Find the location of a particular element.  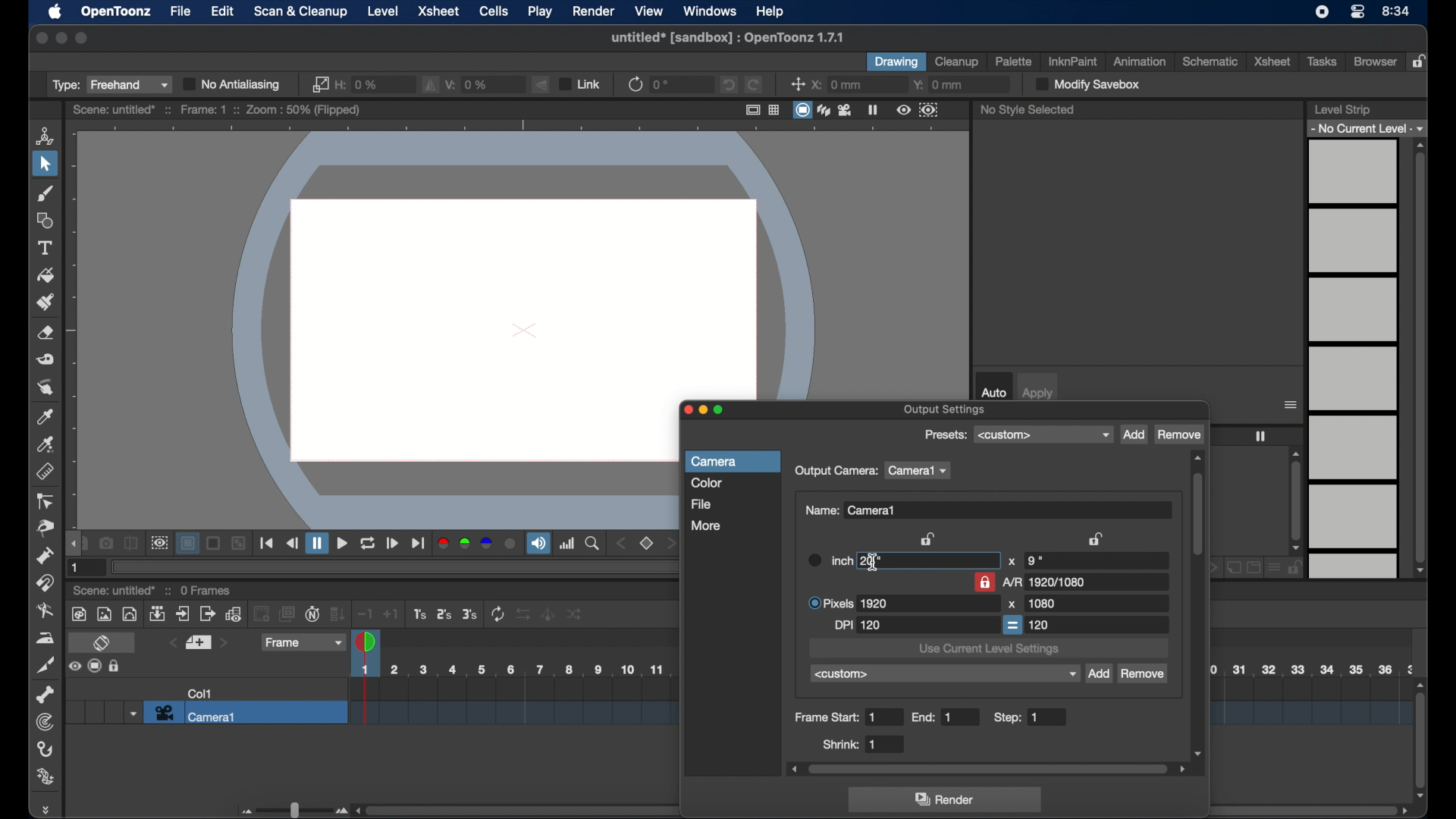

scroll box is located at coordinates (510, 808).